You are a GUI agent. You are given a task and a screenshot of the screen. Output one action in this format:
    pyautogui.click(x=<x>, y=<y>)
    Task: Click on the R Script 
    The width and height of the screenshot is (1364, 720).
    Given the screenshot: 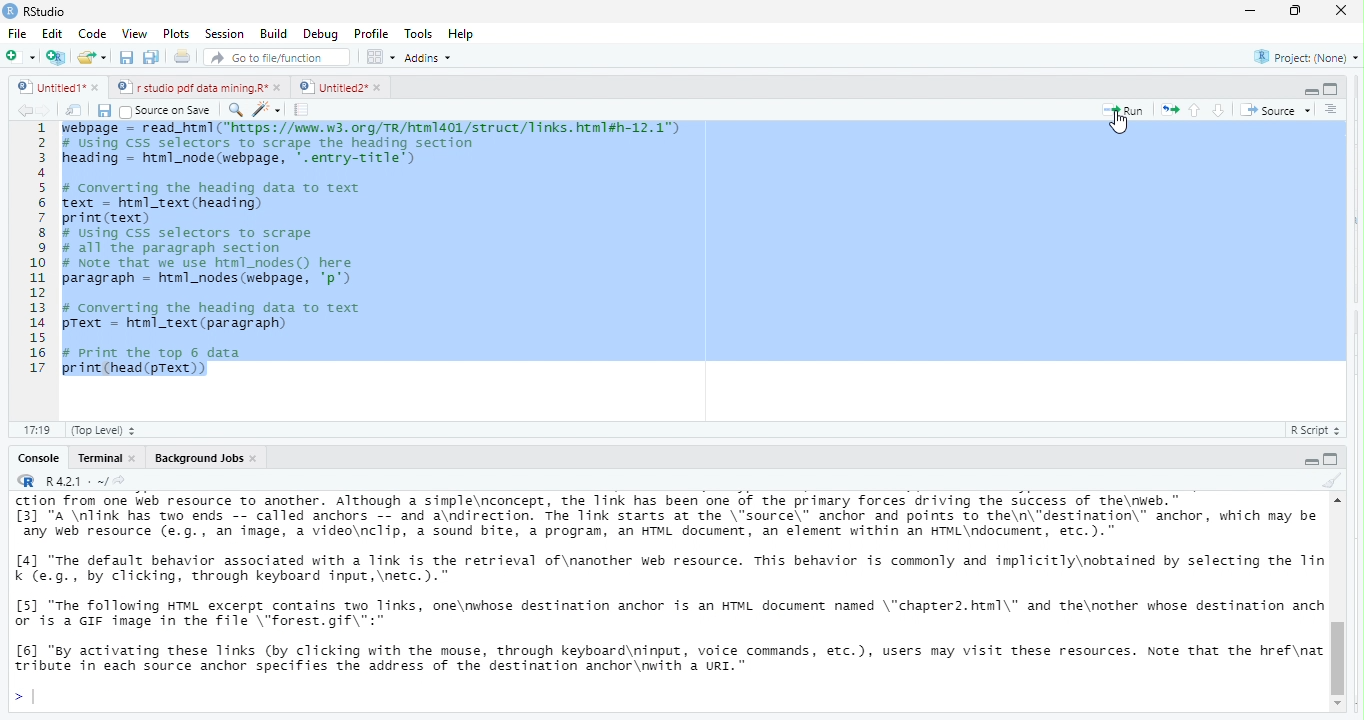 What is the action you would take?
    pyautogui.click(x=1312, y=431)
    